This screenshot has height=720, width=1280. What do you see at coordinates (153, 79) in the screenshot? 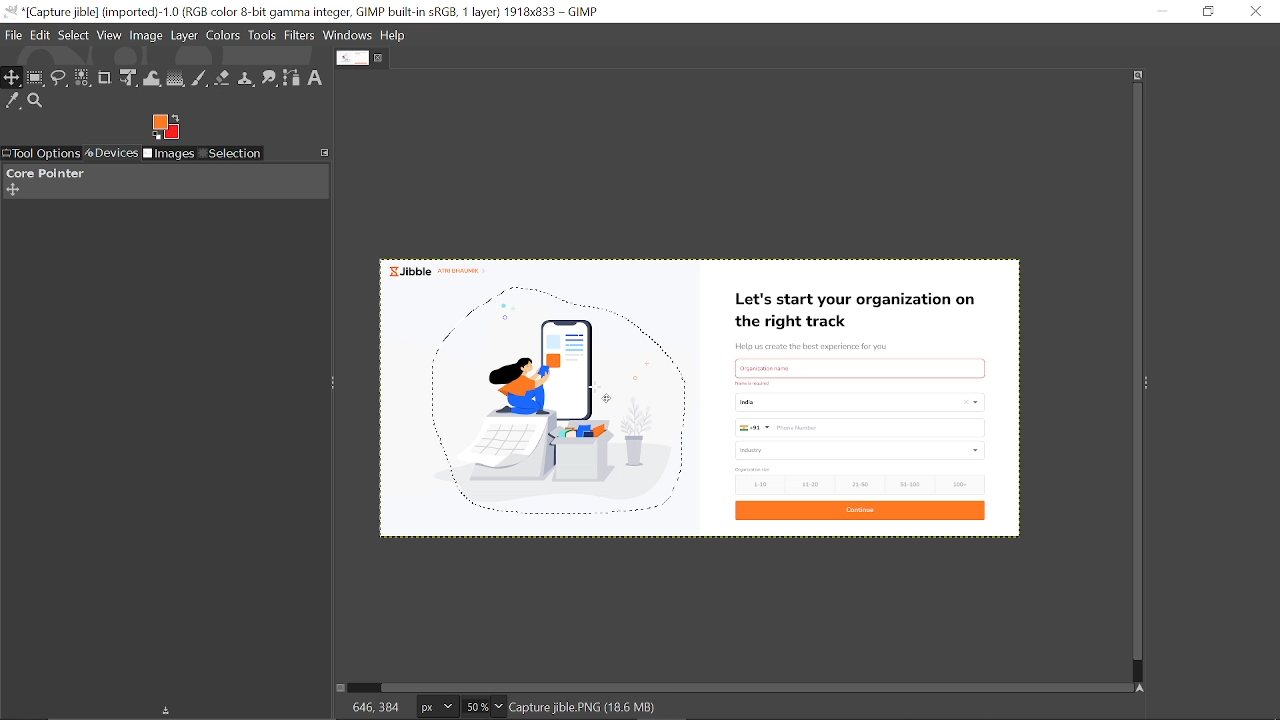
I see `Wrap text tool` at bounding box center [153, 79].